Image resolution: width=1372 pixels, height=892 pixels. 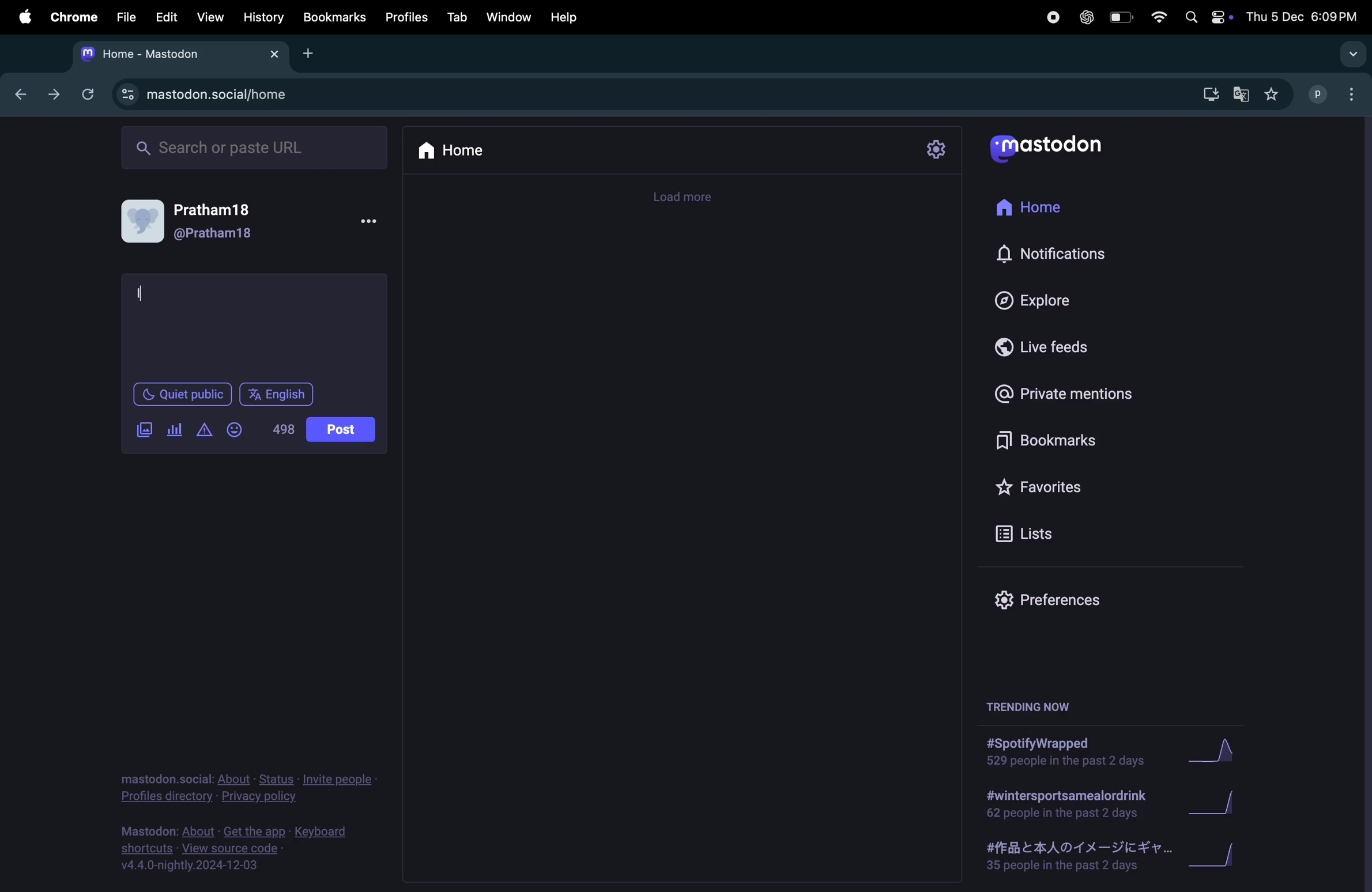 What do you see at coordinates (285, 428) in the screenshot?
I see `499` at bounding box center [285, 428].